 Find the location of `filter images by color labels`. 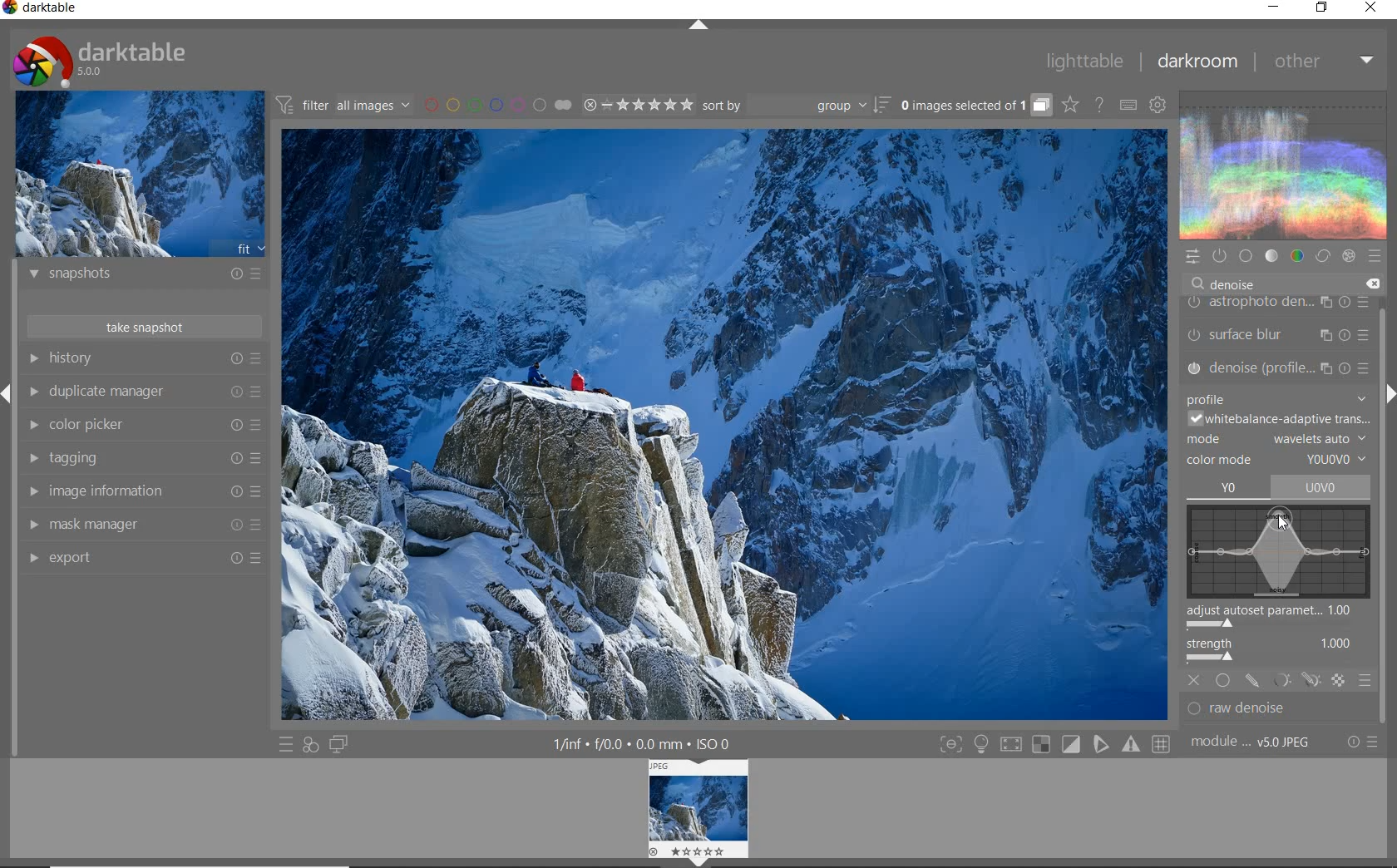

filter images by color labels is located at coordinates (498, 104).